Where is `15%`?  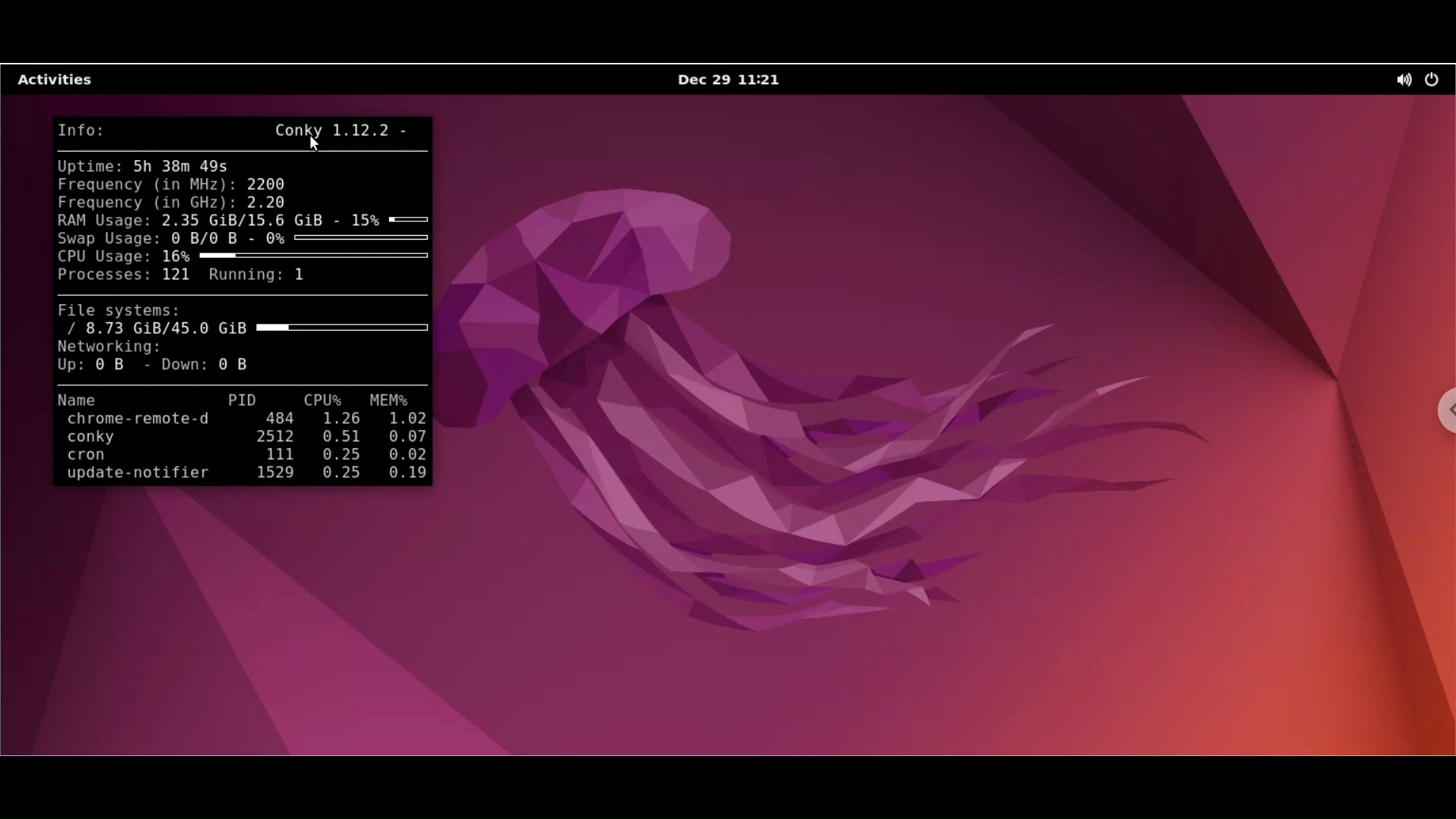
15% is located at coordinates (388, 219).